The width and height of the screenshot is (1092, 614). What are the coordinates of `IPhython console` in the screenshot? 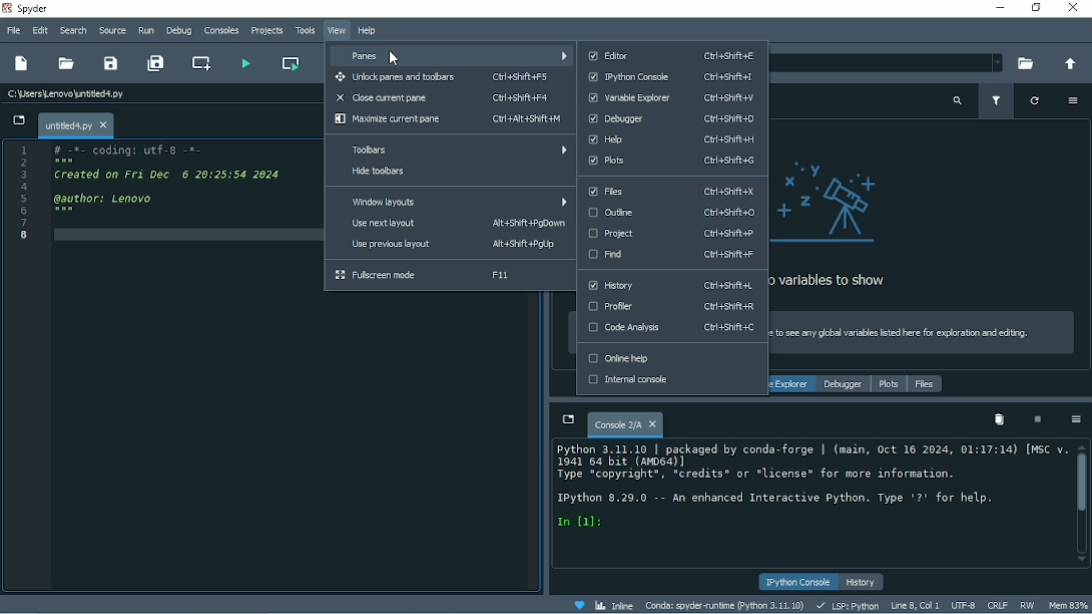 It's located at (671, 77).